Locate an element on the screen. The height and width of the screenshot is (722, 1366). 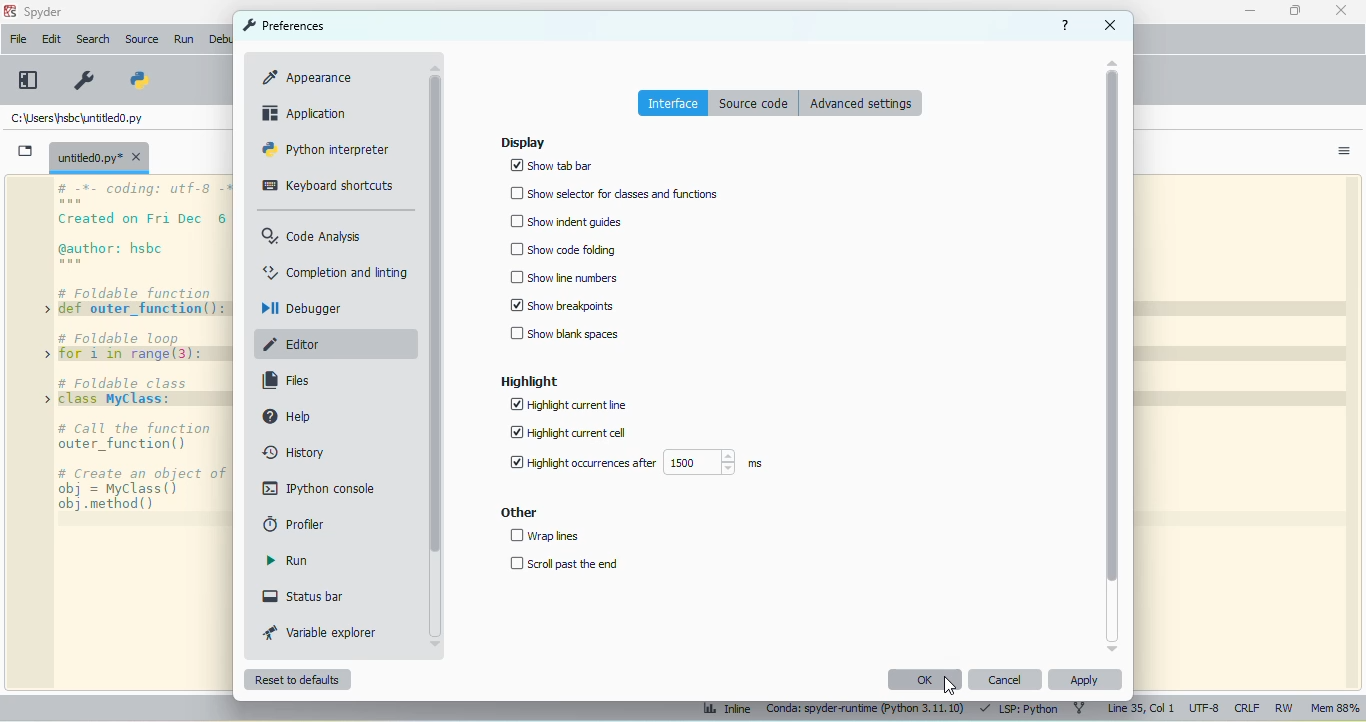
spyder is located at coordinates (43, 12).